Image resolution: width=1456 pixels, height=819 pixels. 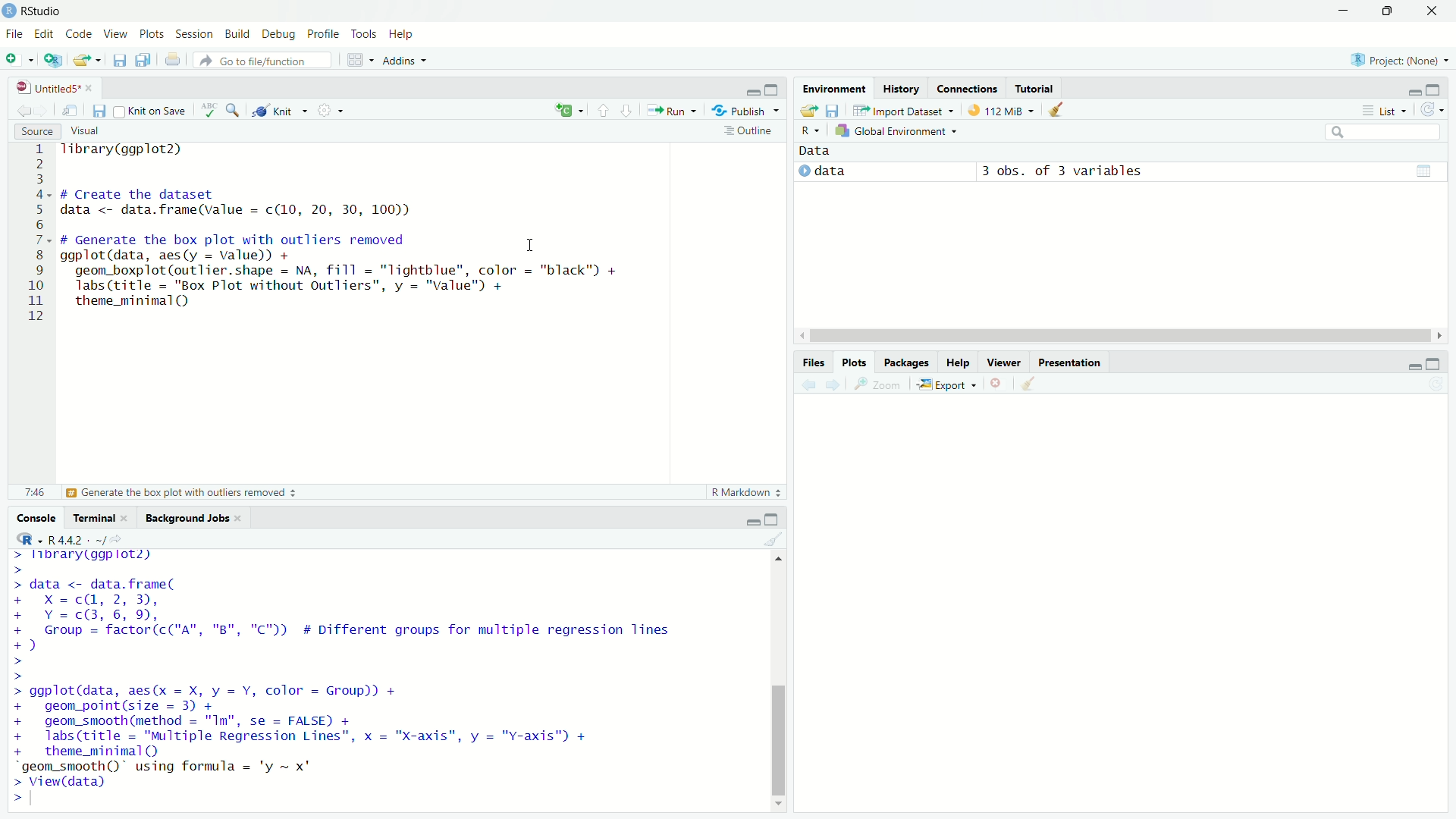 I want to click on Console, so click(x=36, y=519).